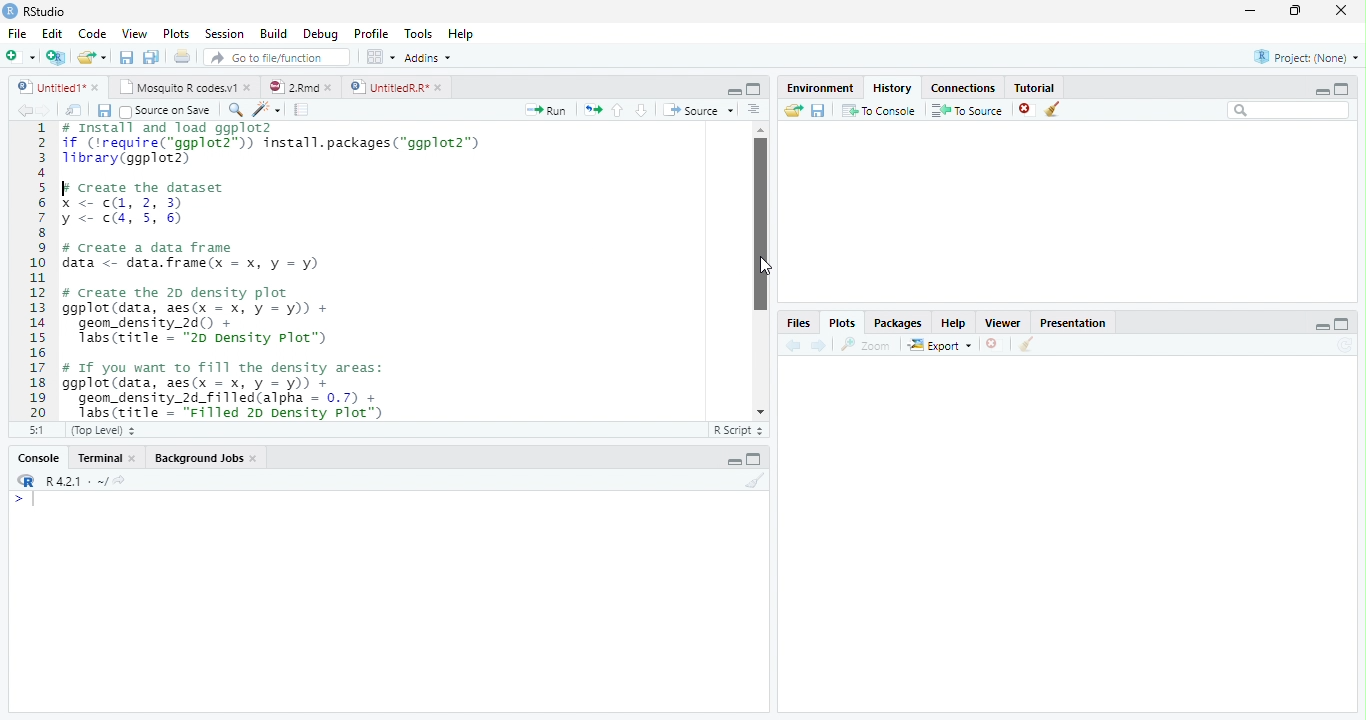 The height and width of the screenshot is (720, 1366). Describe the element at coordinates (1344, 323) in the screenshot. I see `maximize` at that location.